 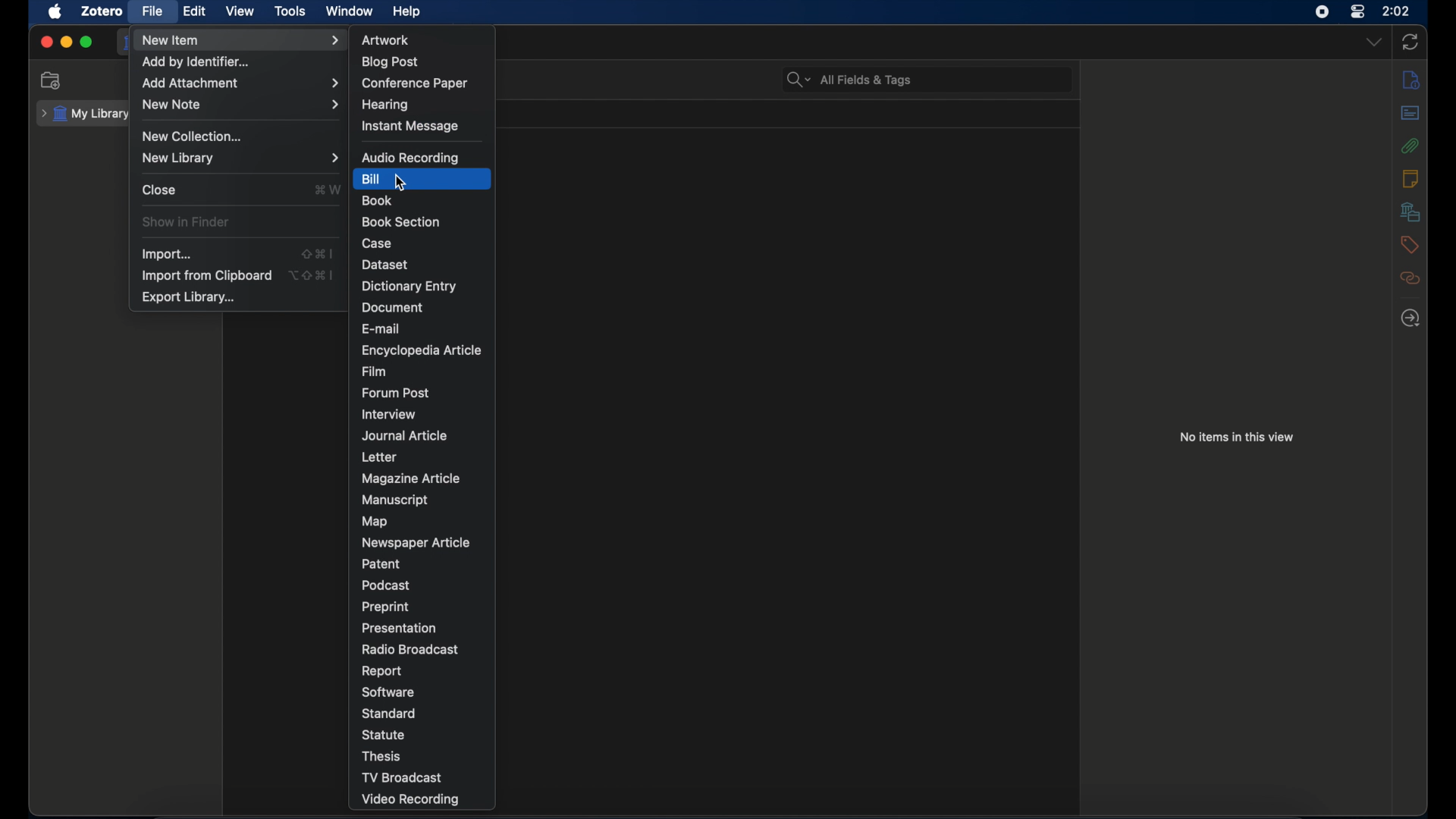 I want to click on import, so click(x=168, y=253).